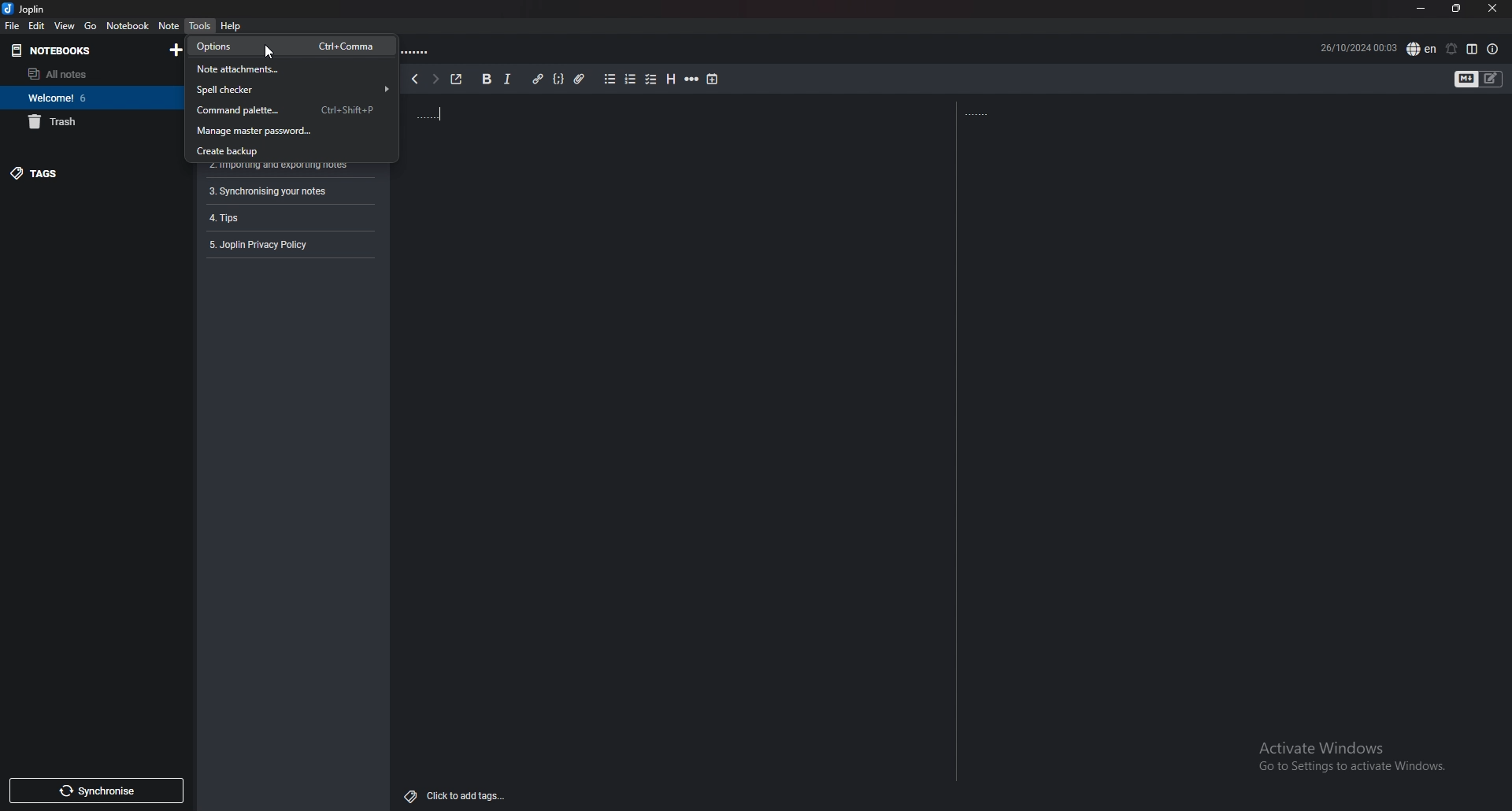  Describe the element at coordinates (276, 168) in the screenshot. I see `2. Importing and exporting notes.` at that location.